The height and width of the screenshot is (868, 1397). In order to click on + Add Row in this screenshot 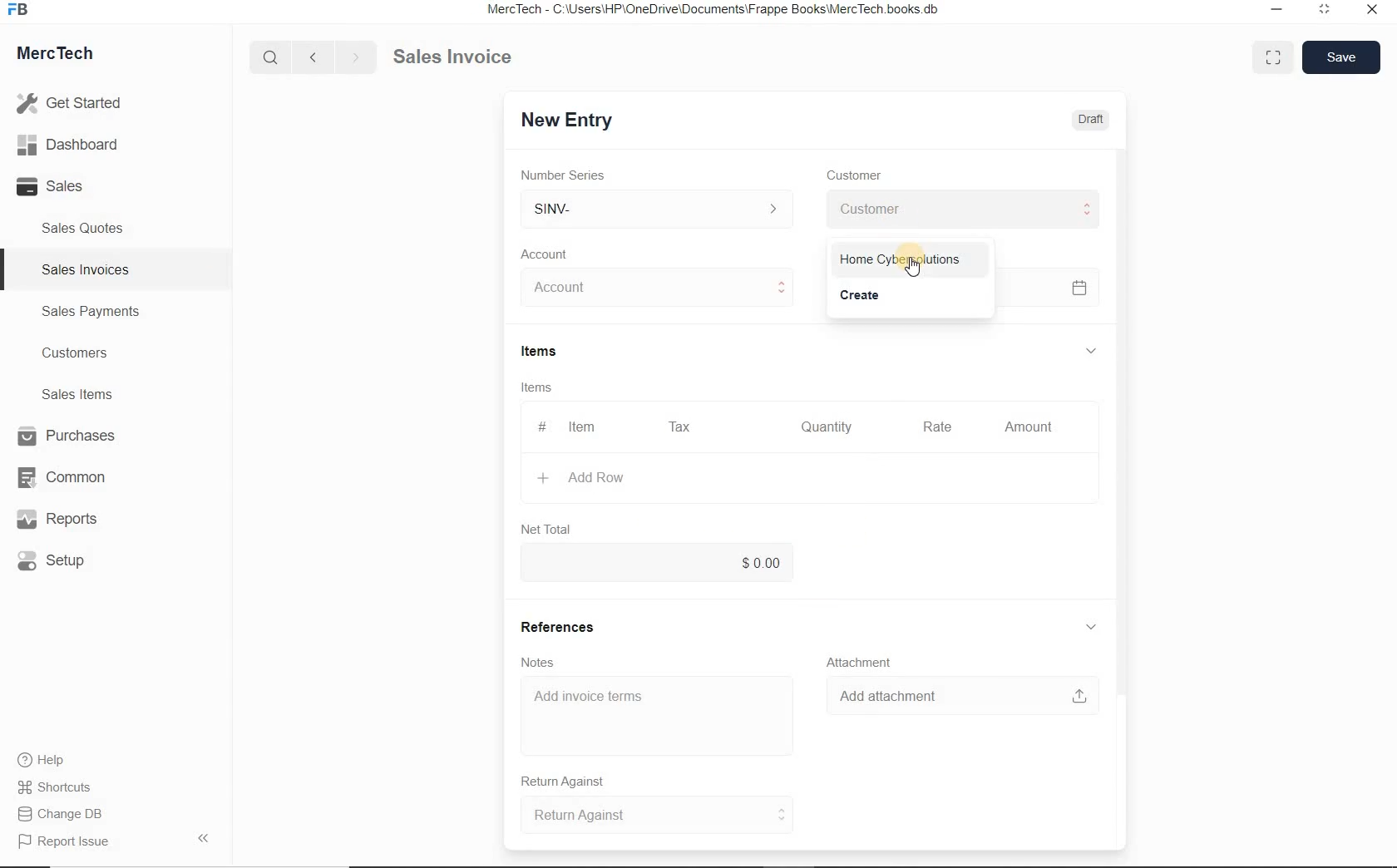, I will do `click(590, 478)`.